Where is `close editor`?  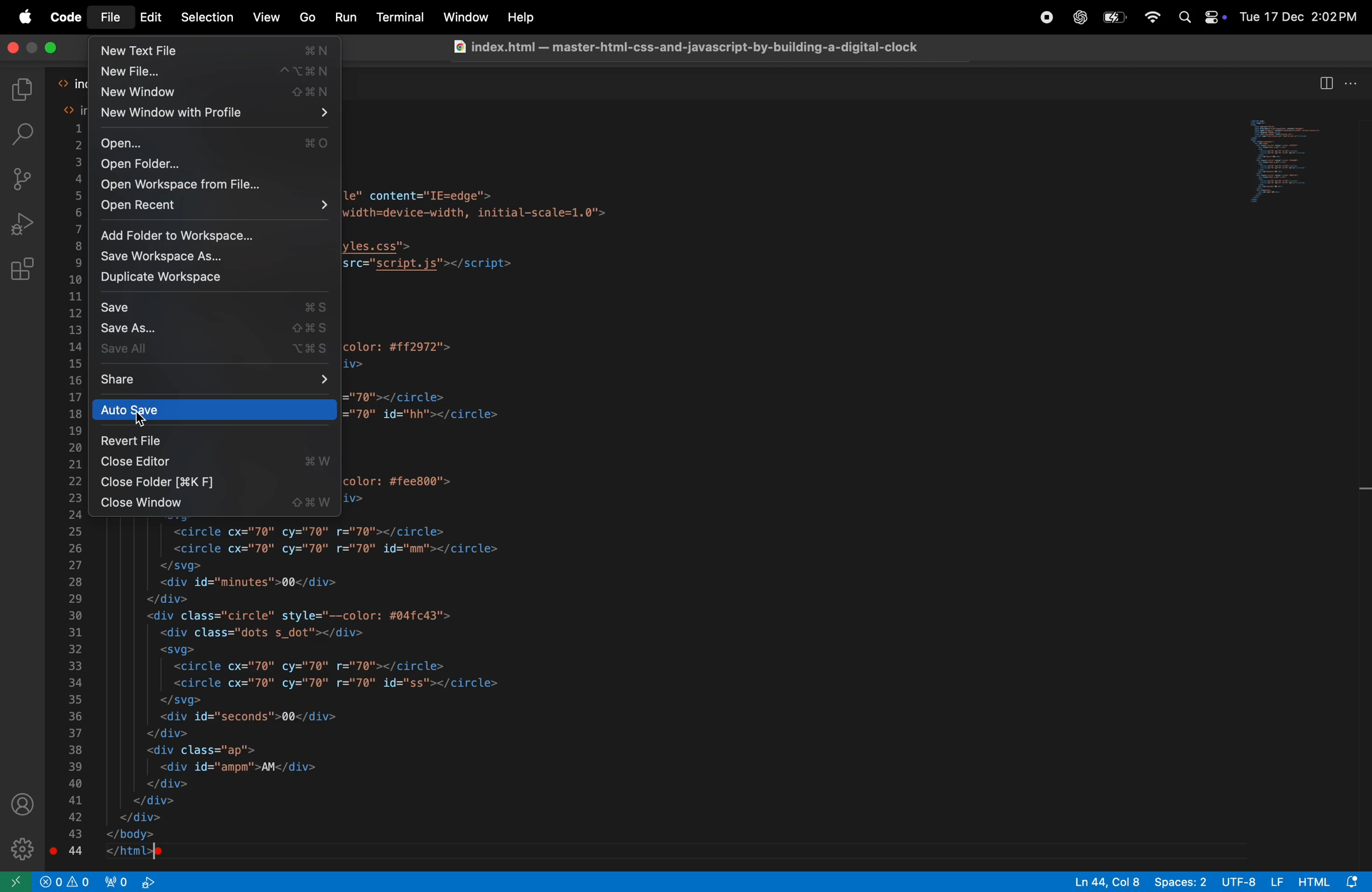
close editor is located at coordinates (214, 462).